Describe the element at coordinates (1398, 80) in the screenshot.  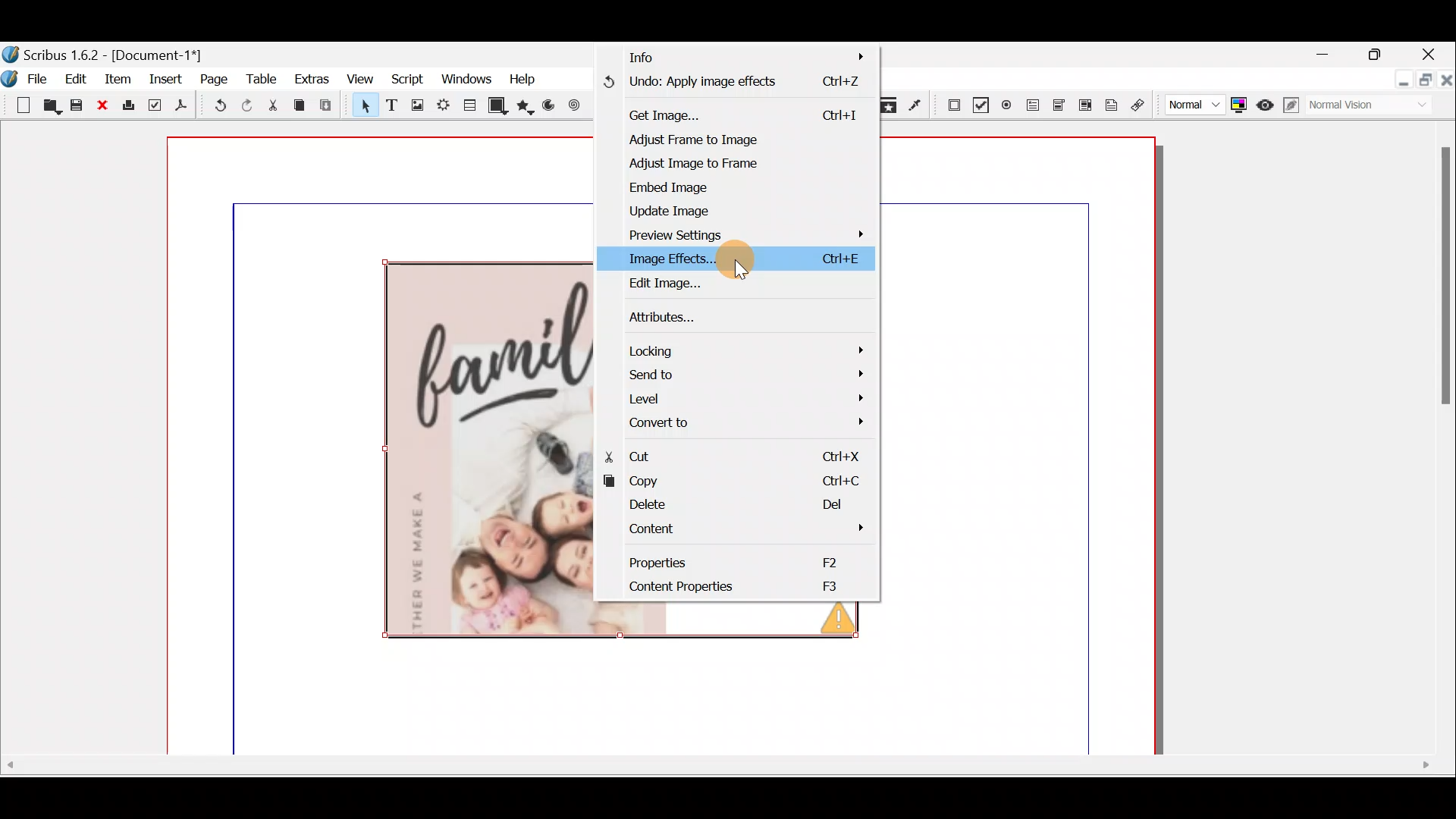
I see `Minimise` at that location.